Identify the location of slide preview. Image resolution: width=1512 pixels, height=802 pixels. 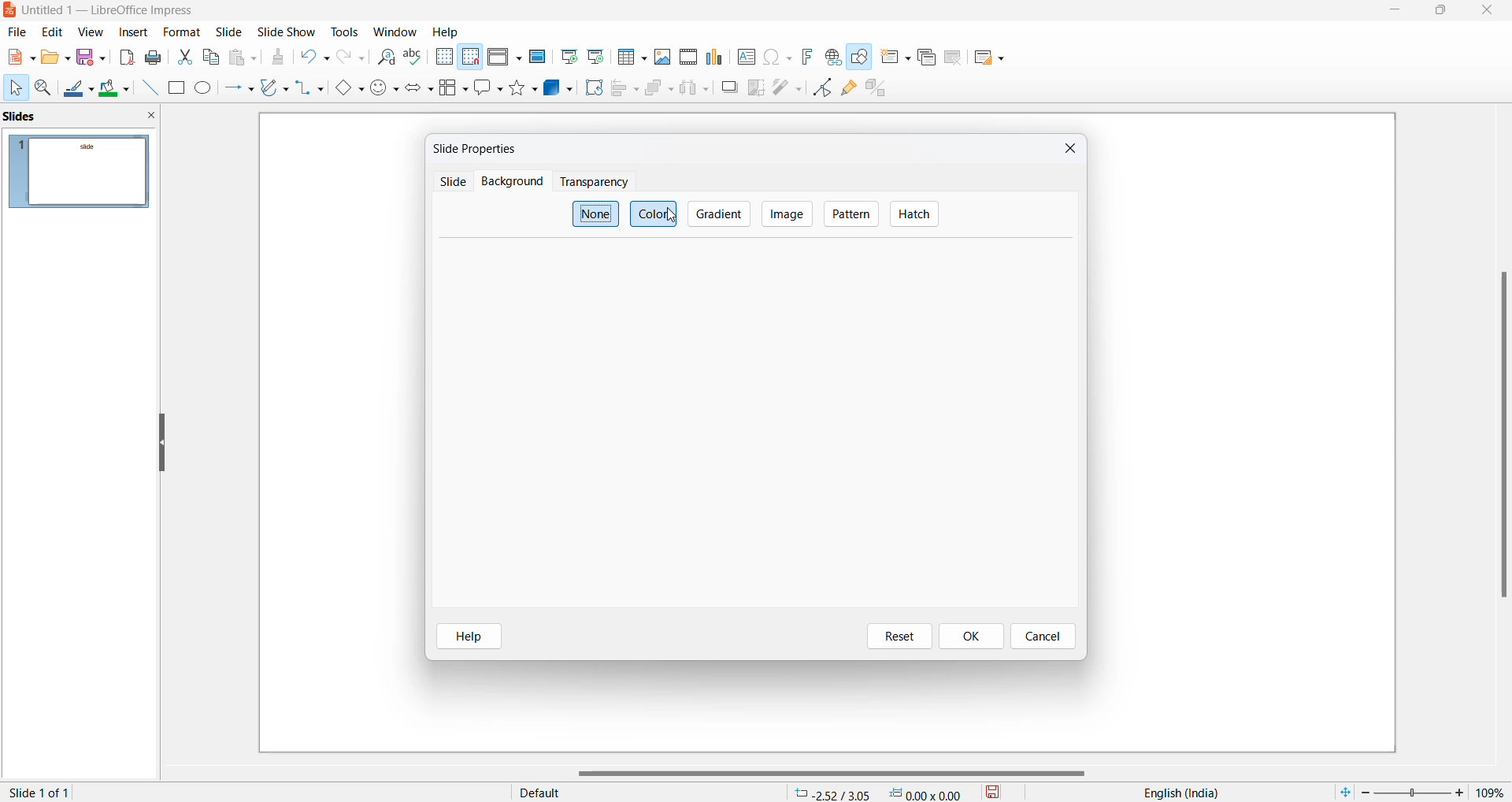
(81, 172).